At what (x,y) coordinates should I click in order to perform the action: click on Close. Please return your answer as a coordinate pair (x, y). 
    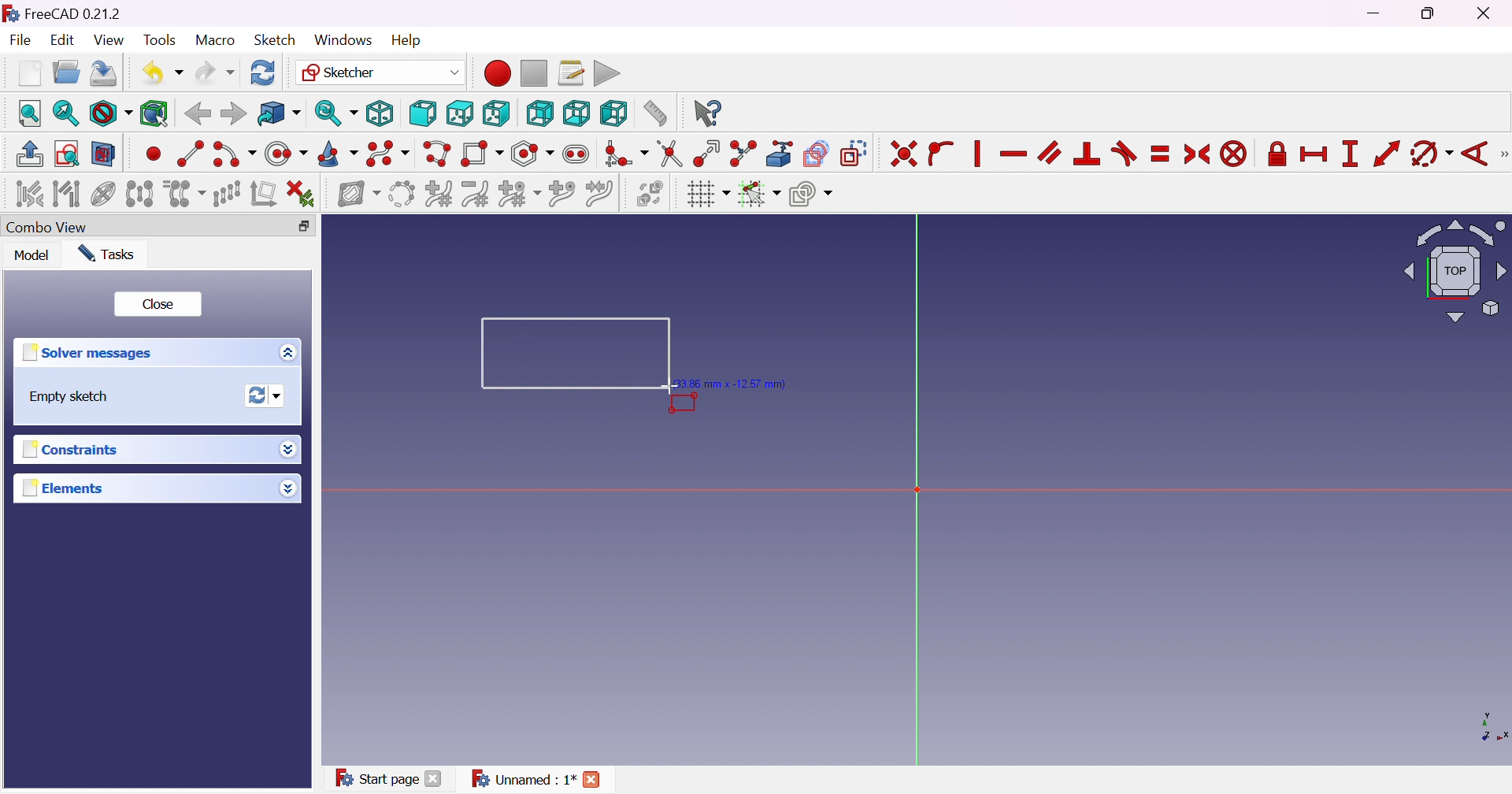
    Looking at the image, I should click on (598, 777).